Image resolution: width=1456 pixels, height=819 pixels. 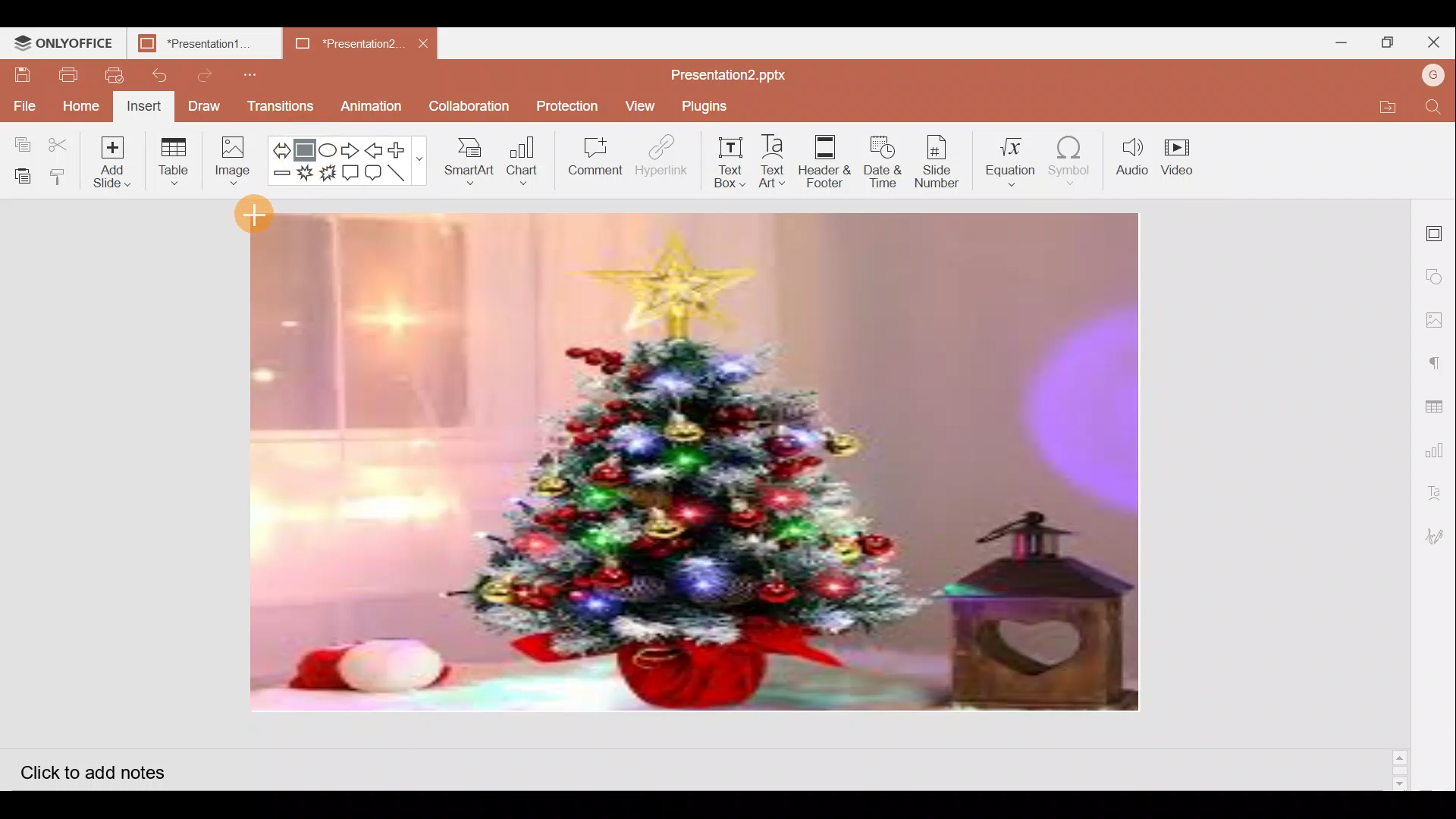 What do you see at coordinates (596, 157) in the screenshot?
I see `Comment` at bounding box center [596, 157].